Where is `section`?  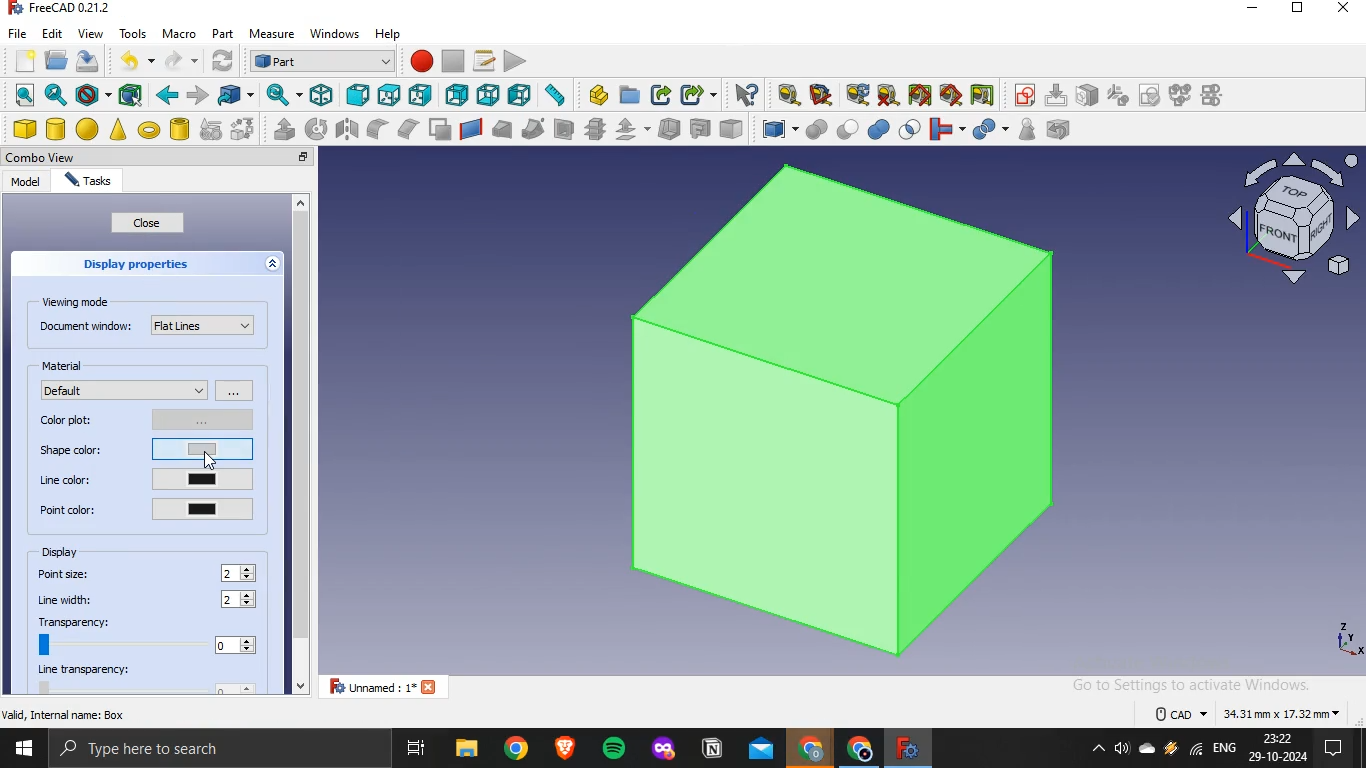
section is located at coordinates (563, 129).